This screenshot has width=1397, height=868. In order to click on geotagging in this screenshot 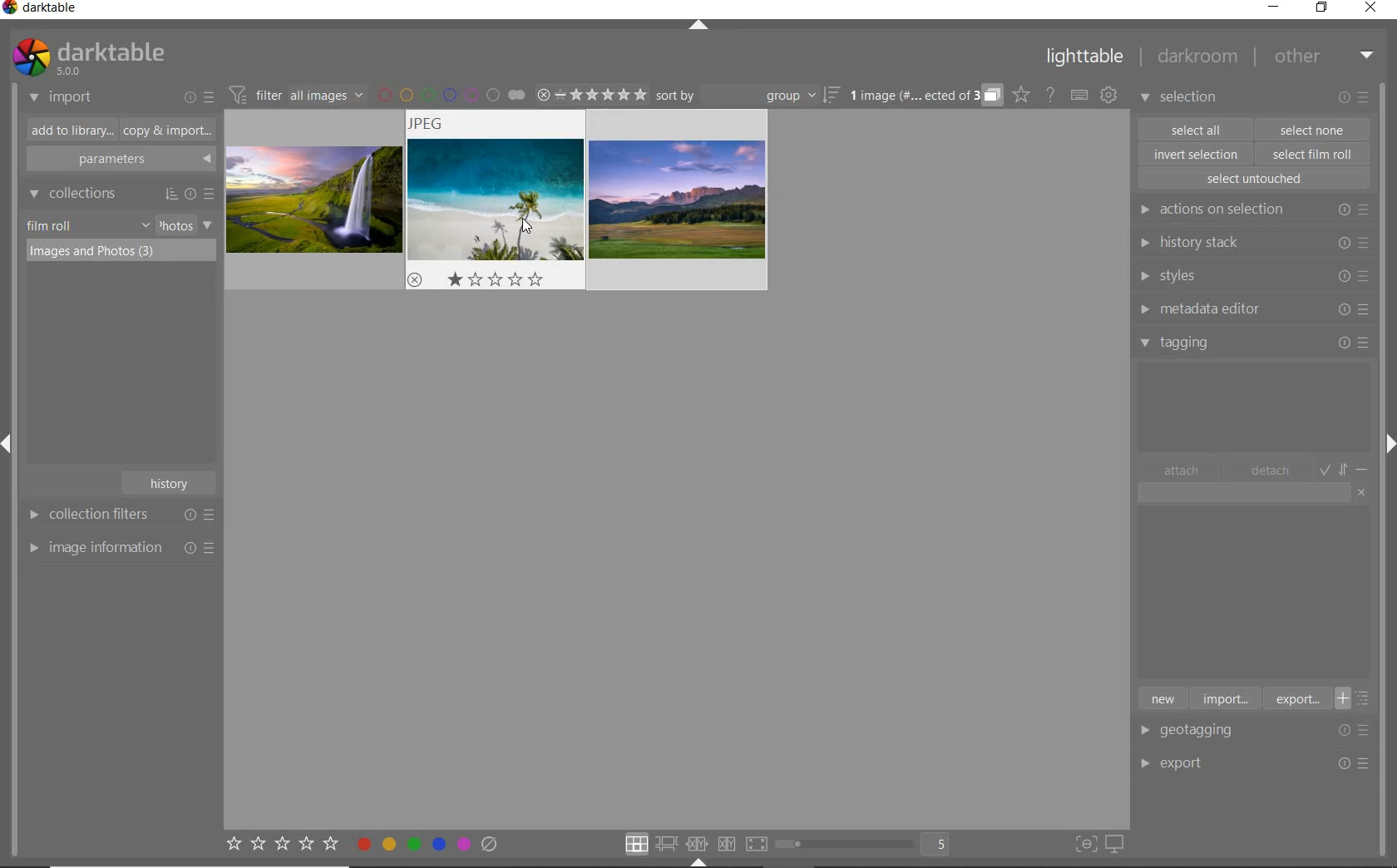, I will do `click(1202, 732)`.